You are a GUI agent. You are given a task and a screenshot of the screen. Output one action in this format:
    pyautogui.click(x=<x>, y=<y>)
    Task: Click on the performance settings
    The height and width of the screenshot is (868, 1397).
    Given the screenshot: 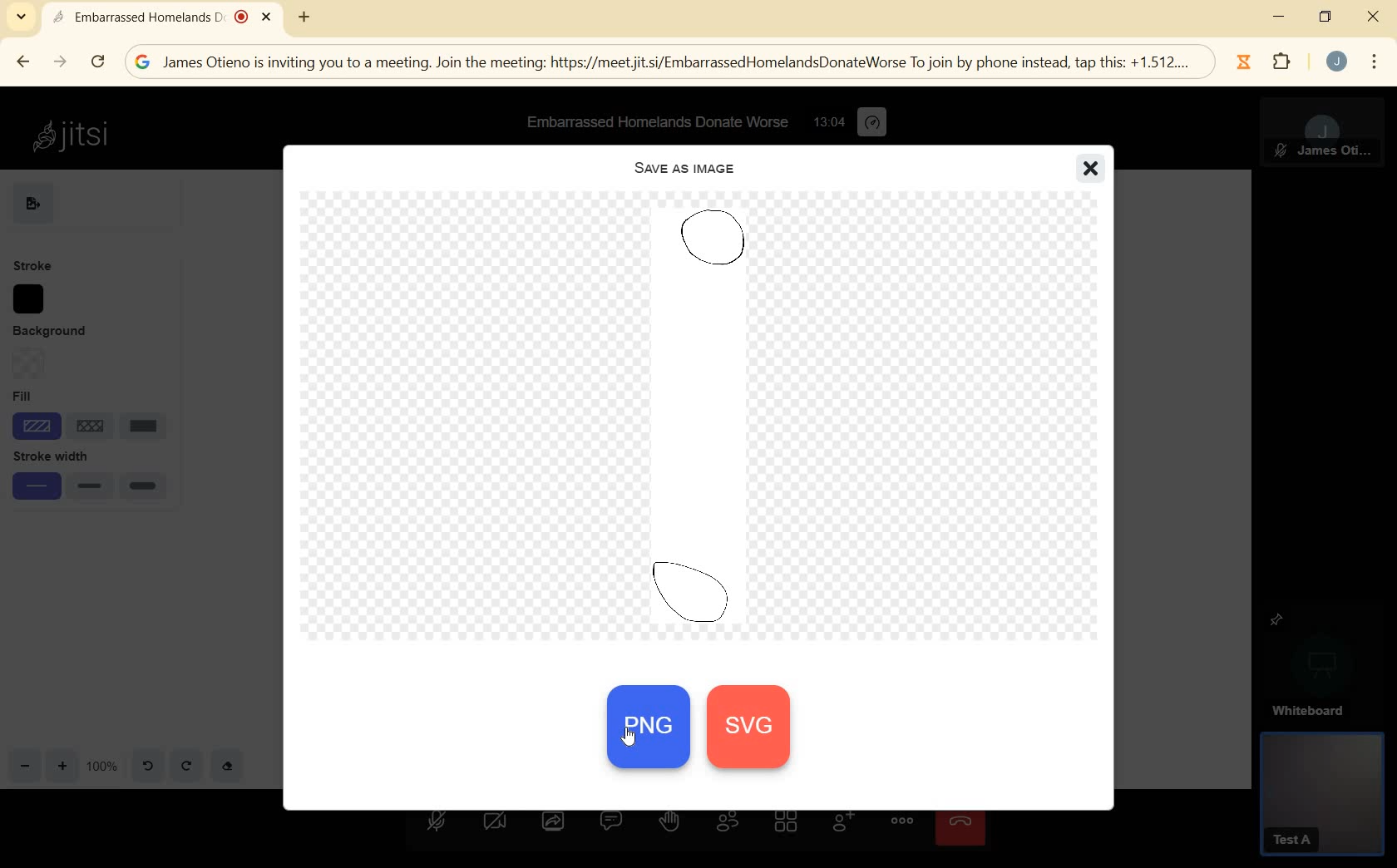 What is the action you would take?
    pyautogui.click(x=871, y=123)
    